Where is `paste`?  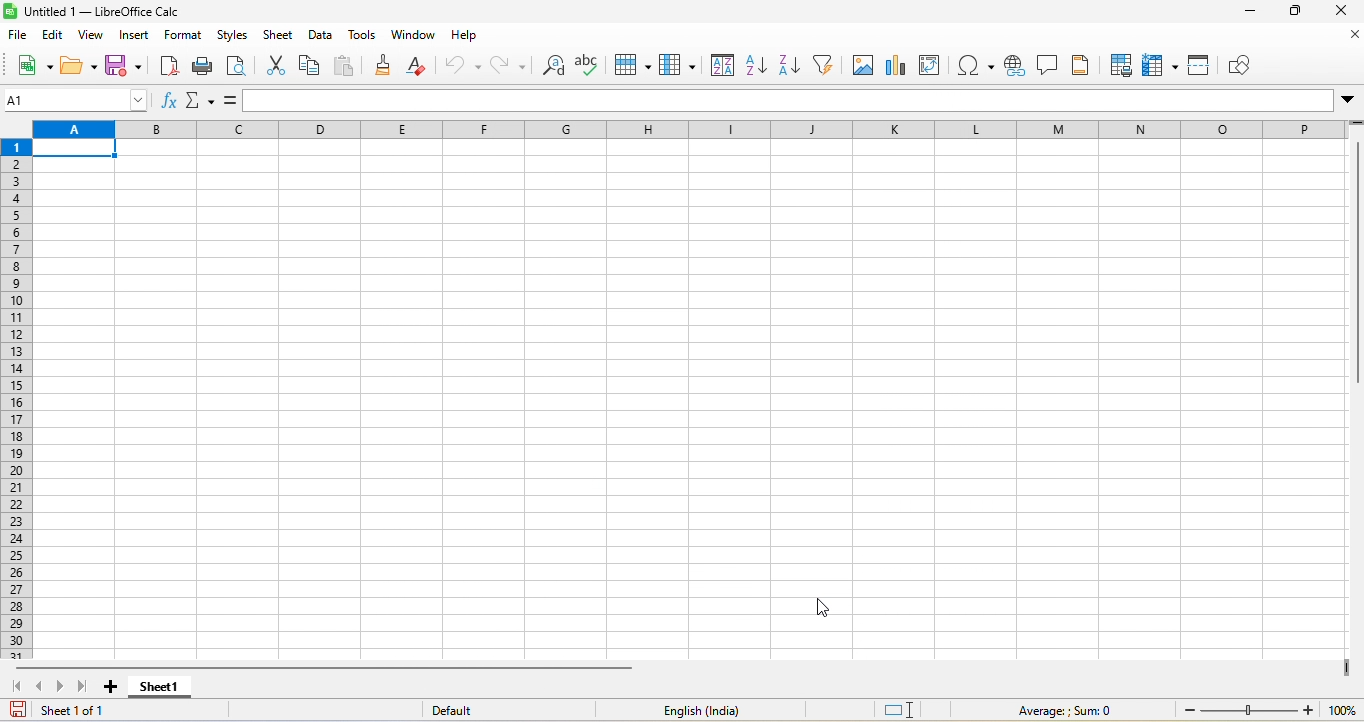
paste is located at coordinates (349, 67).